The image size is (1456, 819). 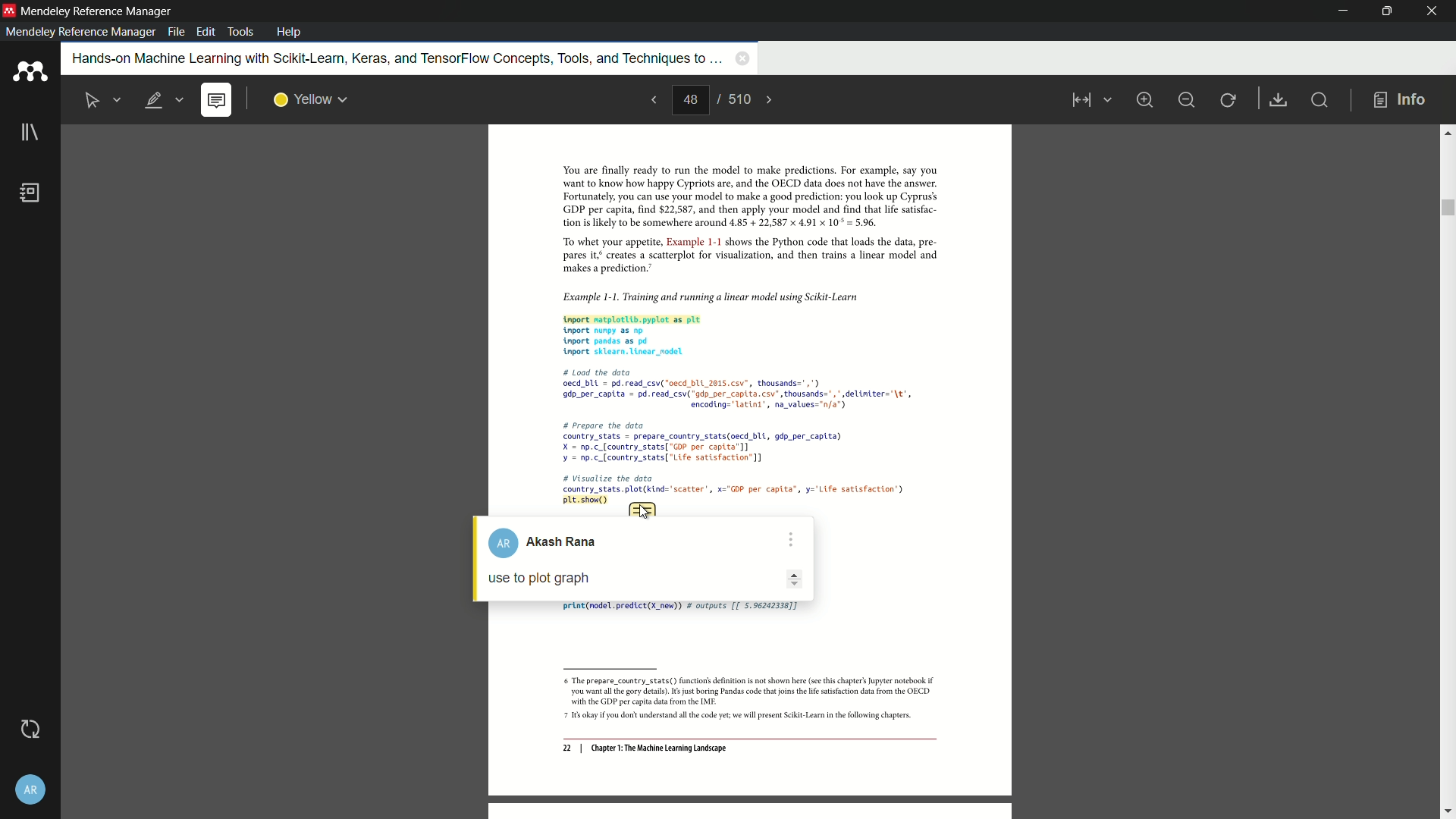 What do you see at coordinates (1186, 100) in the screenshot?
I see `minimize` at bounding box center [1186, 100].